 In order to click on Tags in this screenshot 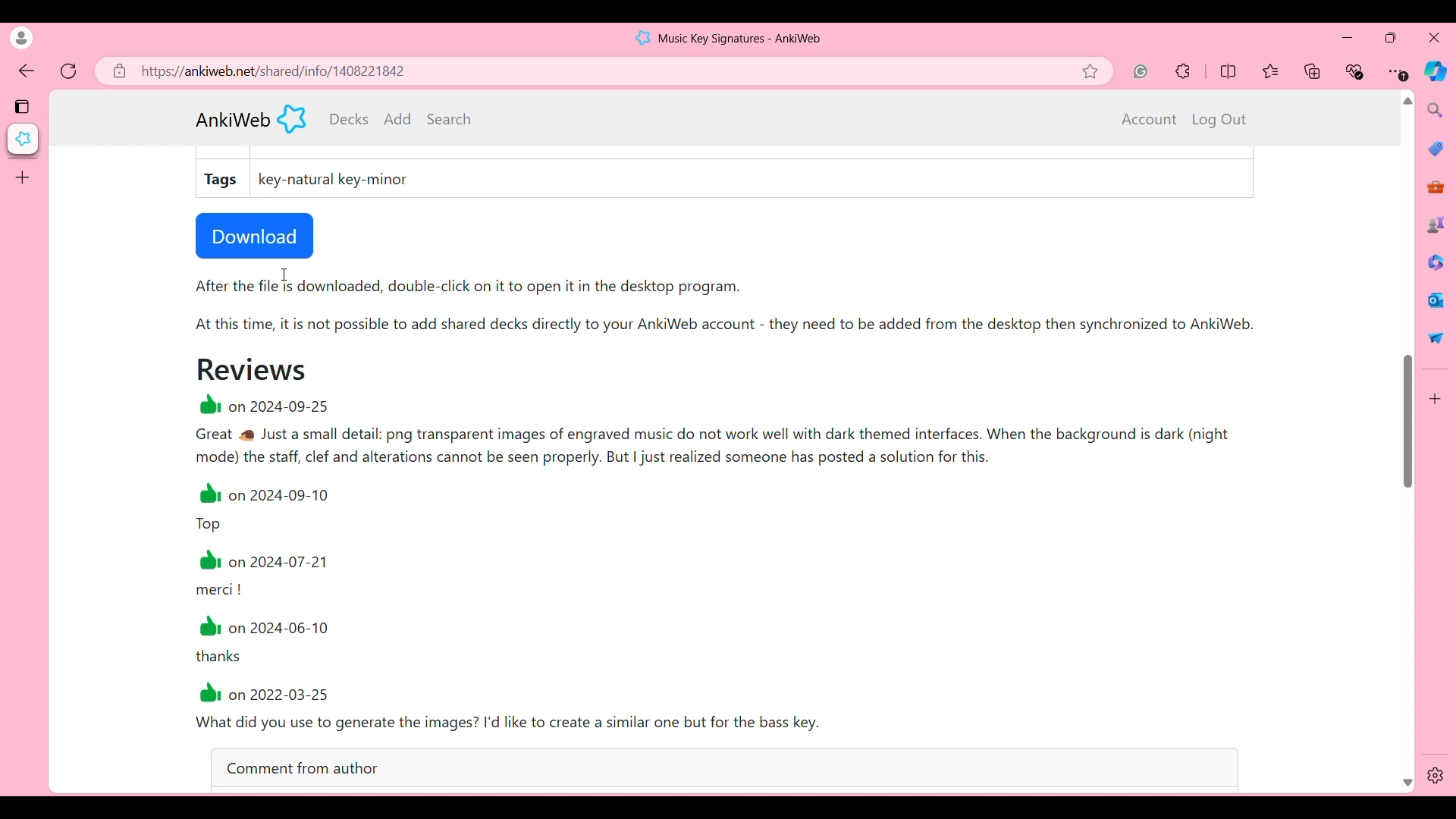, I will do `click(222, 180)`.